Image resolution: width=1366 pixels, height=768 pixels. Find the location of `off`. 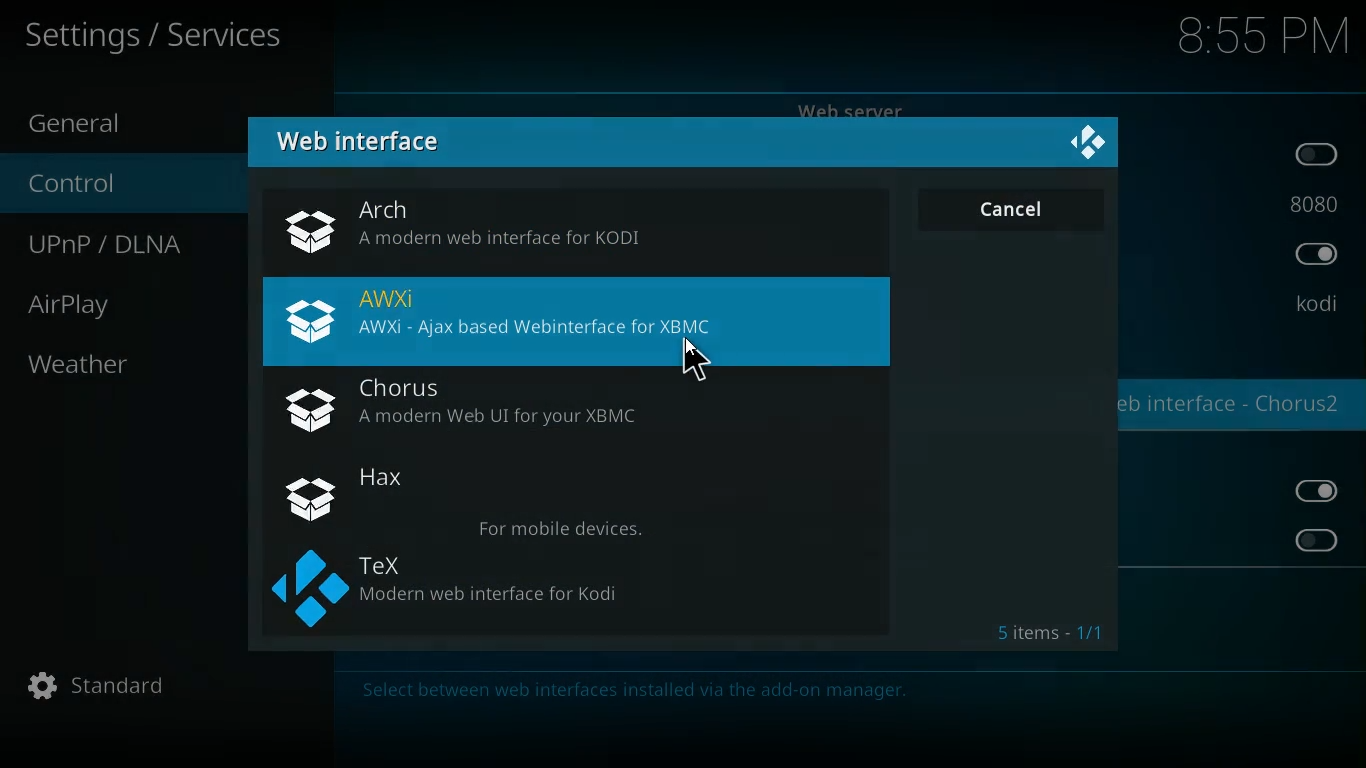

off is located at coordinates (1315, 540).